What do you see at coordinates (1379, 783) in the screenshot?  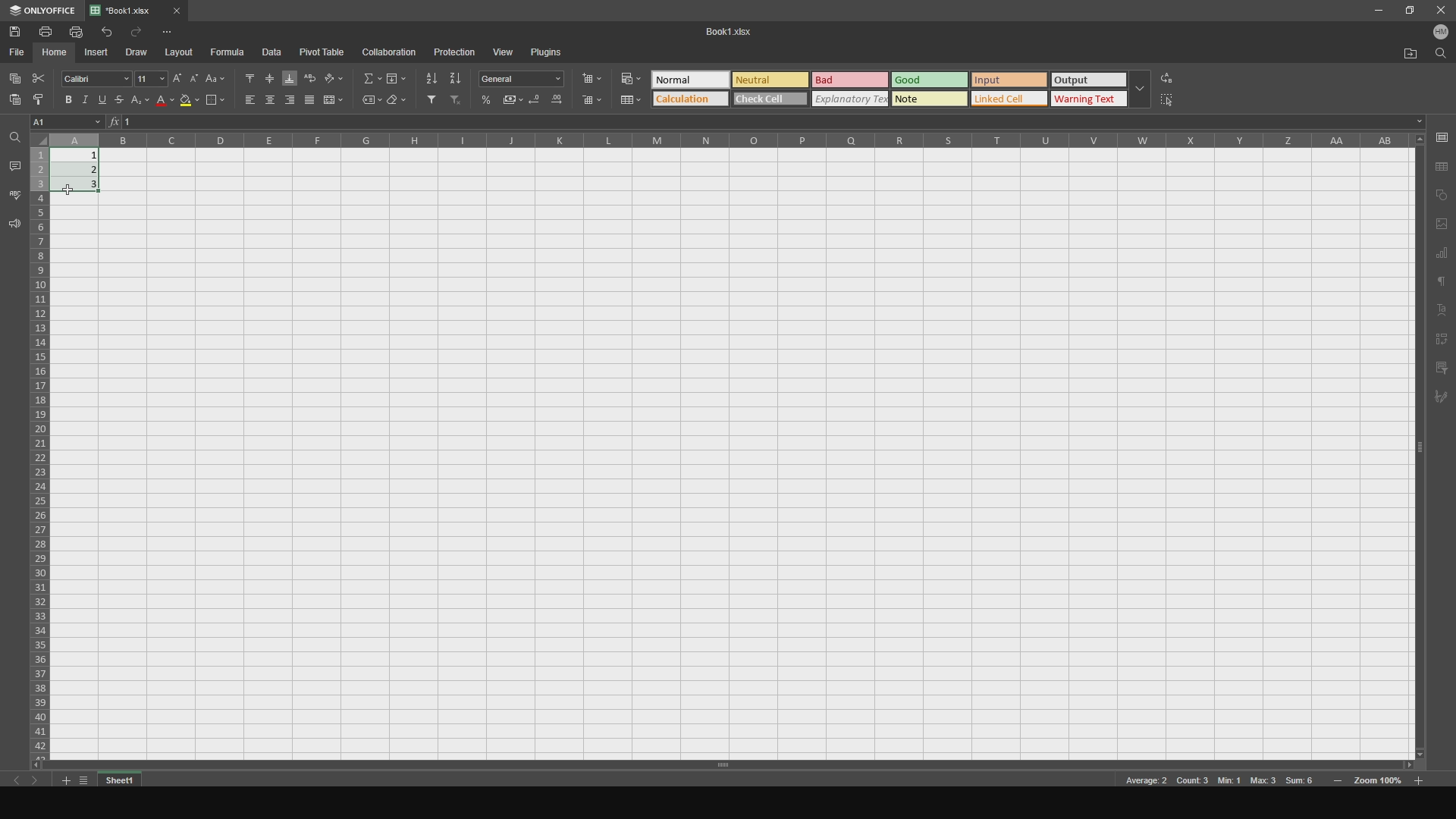 I see `zoom` at bounding box center [1379, 783].